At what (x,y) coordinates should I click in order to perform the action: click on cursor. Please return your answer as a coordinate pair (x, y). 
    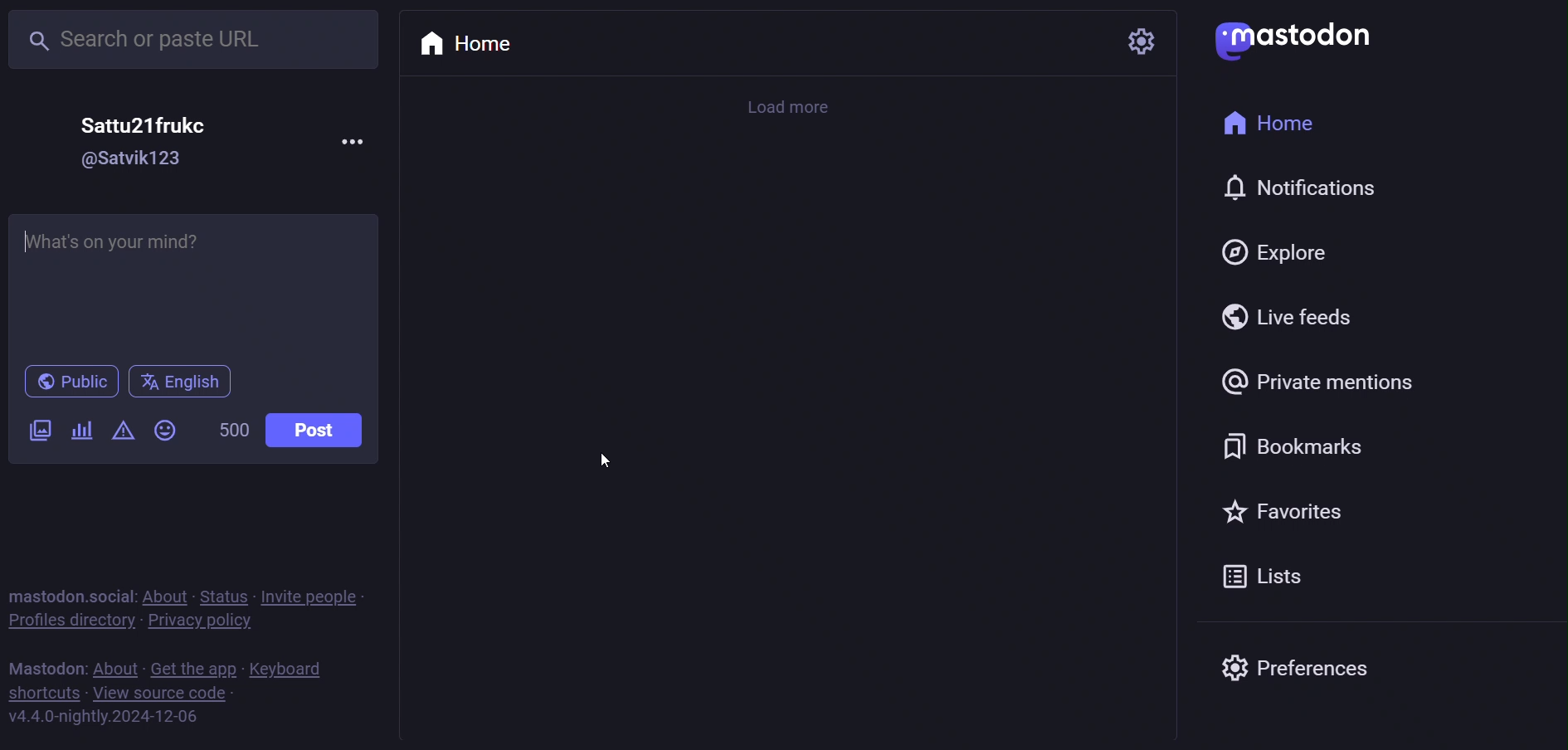
    Looking at the image, I should click on (608, 463).